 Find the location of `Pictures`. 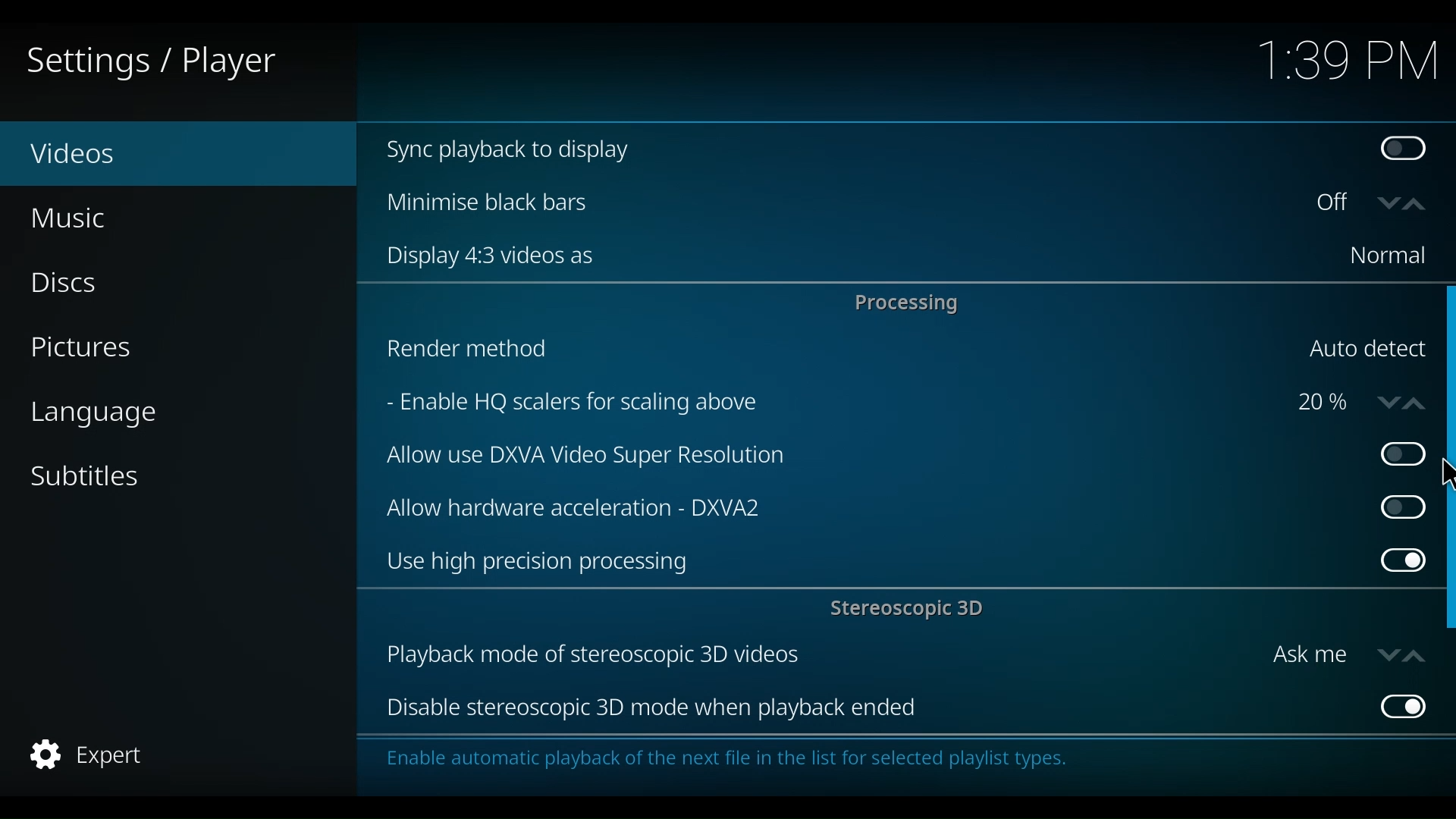

Pictures is located at coordinates (86, 350).